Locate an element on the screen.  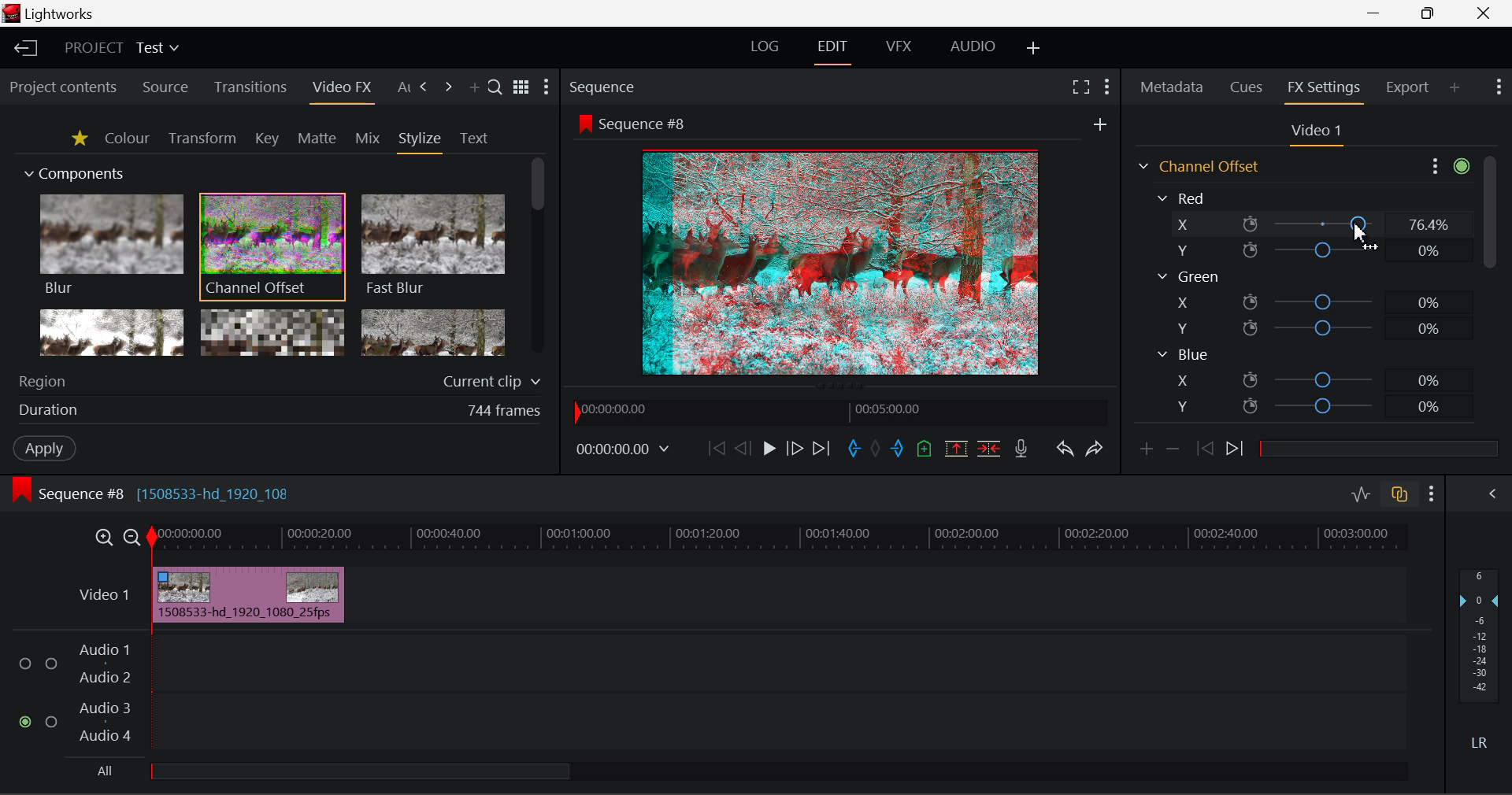
Stylize Tab Open is located at coordinates (419, 142).